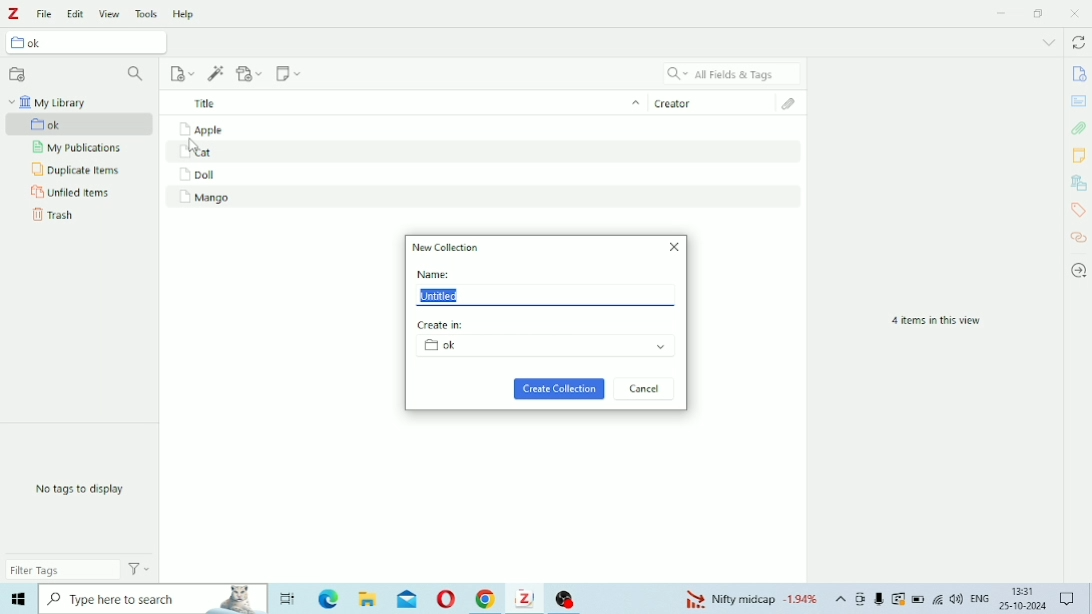  I want to click on Mango, so click(204, 198).